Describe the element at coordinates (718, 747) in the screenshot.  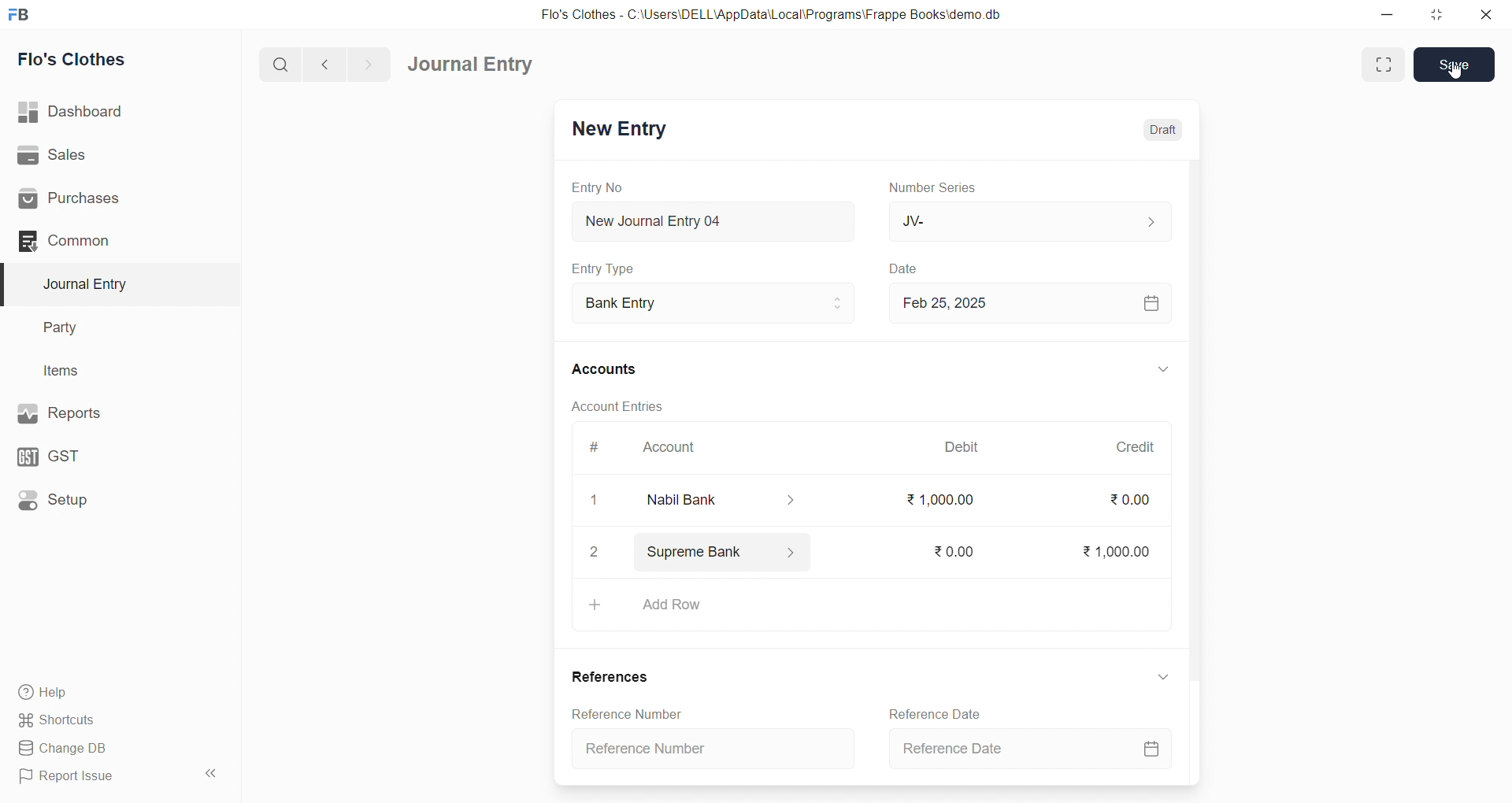
I see `Reference Number` at that location.